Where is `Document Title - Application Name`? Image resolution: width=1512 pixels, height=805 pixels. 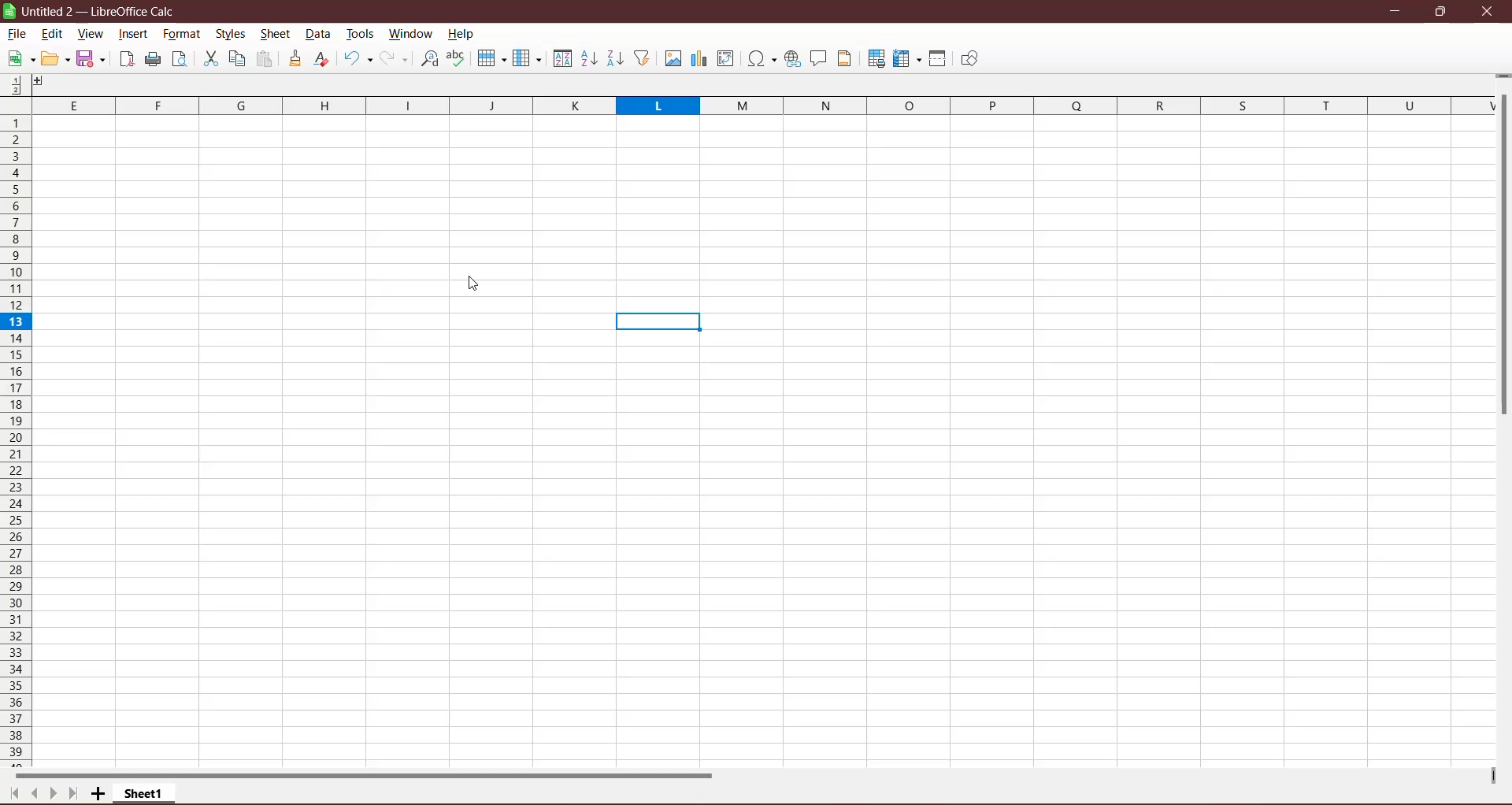 Document Title - Application Name is located at coordinates (103, 11).